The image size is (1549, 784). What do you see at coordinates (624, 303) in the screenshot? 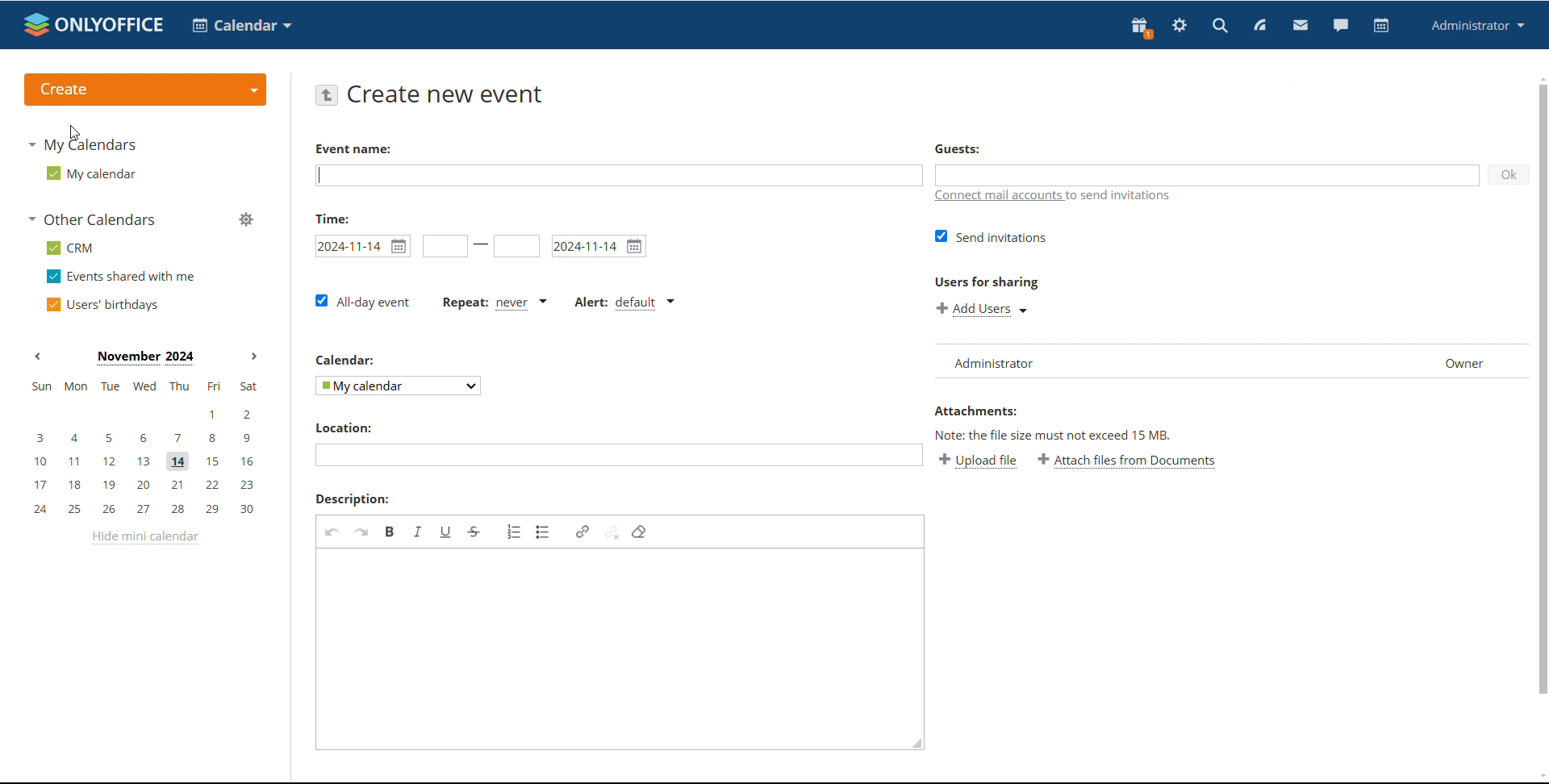
I see `alert type` at bounding box center [624, 303].